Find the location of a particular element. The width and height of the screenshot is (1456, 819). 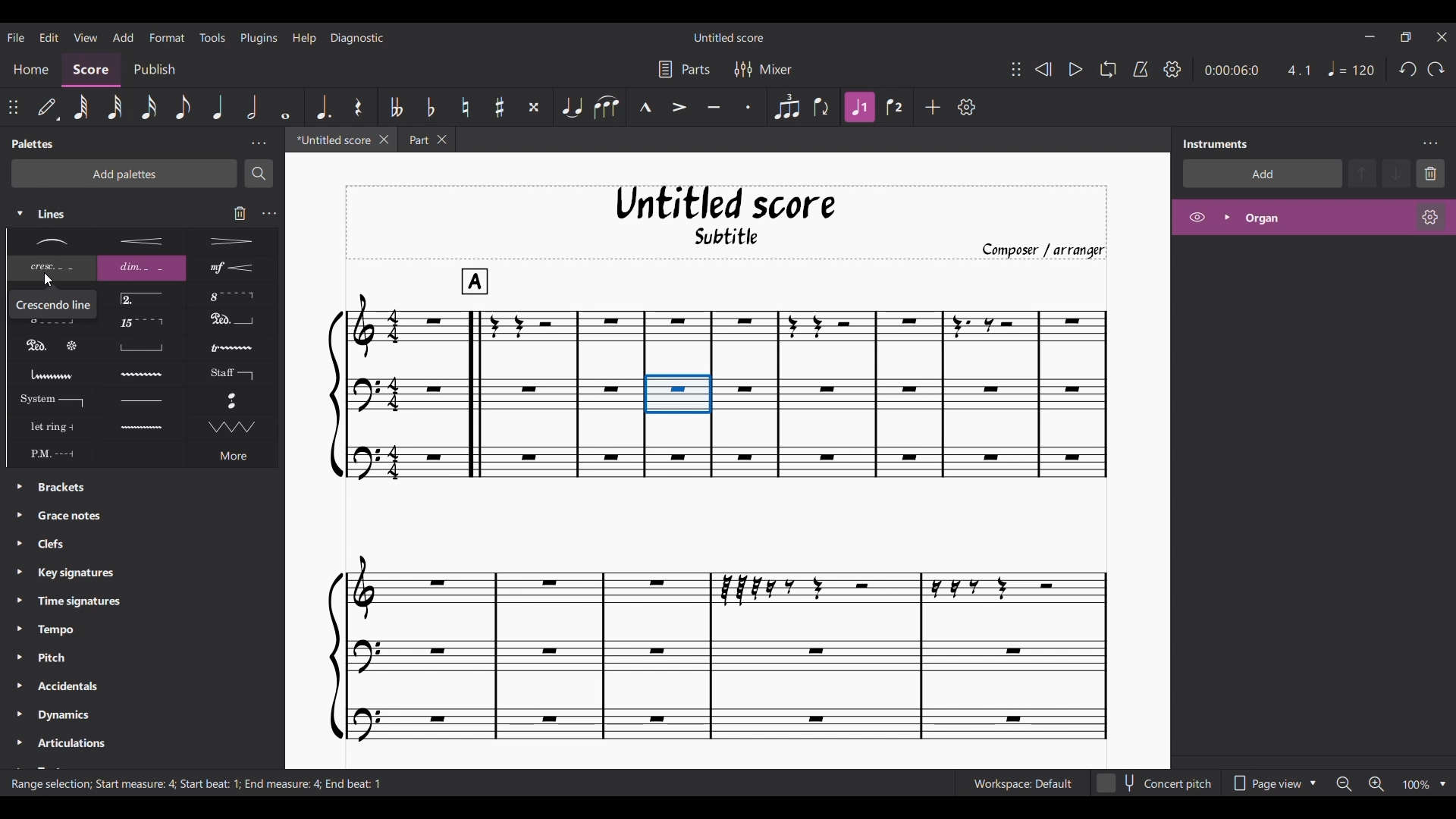

Expand Lines Palette highlighted by cursor is located at coordinates (20, 213).